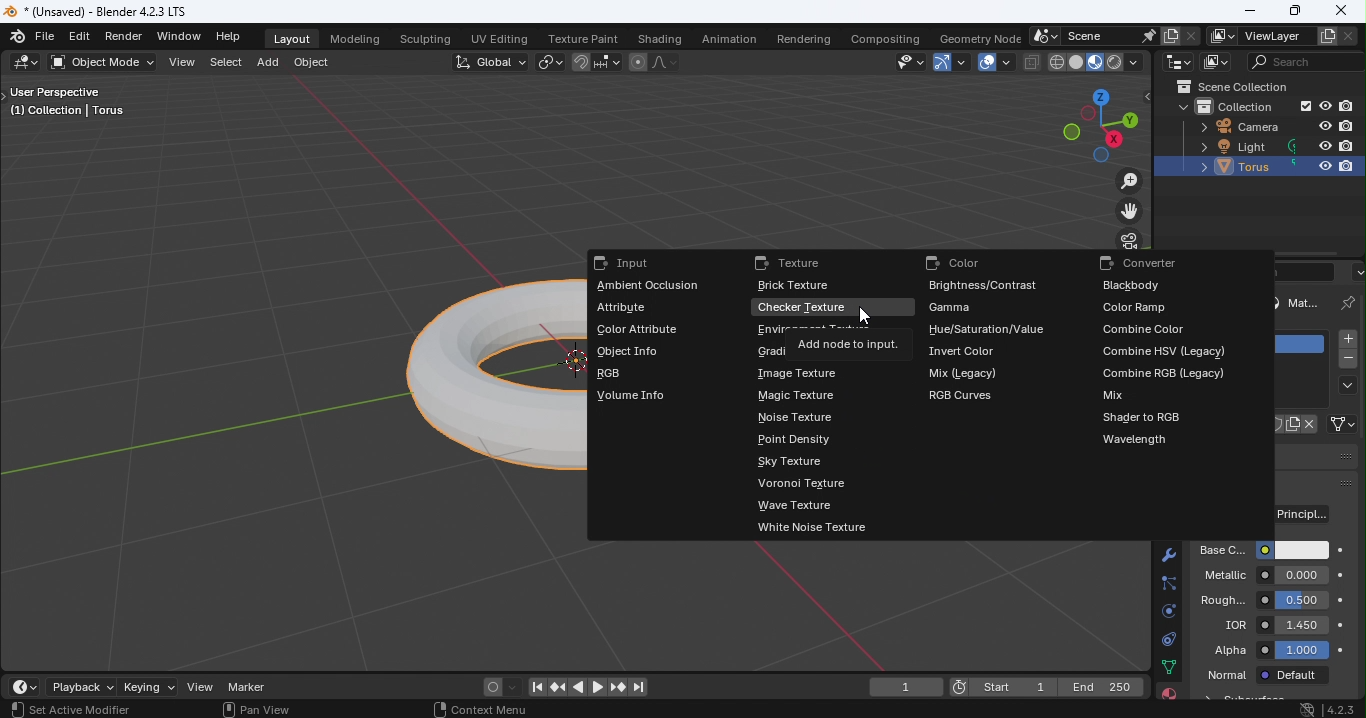 The width and height of the screenshot is (1366, 718). What do you see at coordinates (852, 344) in the screenshot?
I see `Add note to input` at bounding box center [852, 344].